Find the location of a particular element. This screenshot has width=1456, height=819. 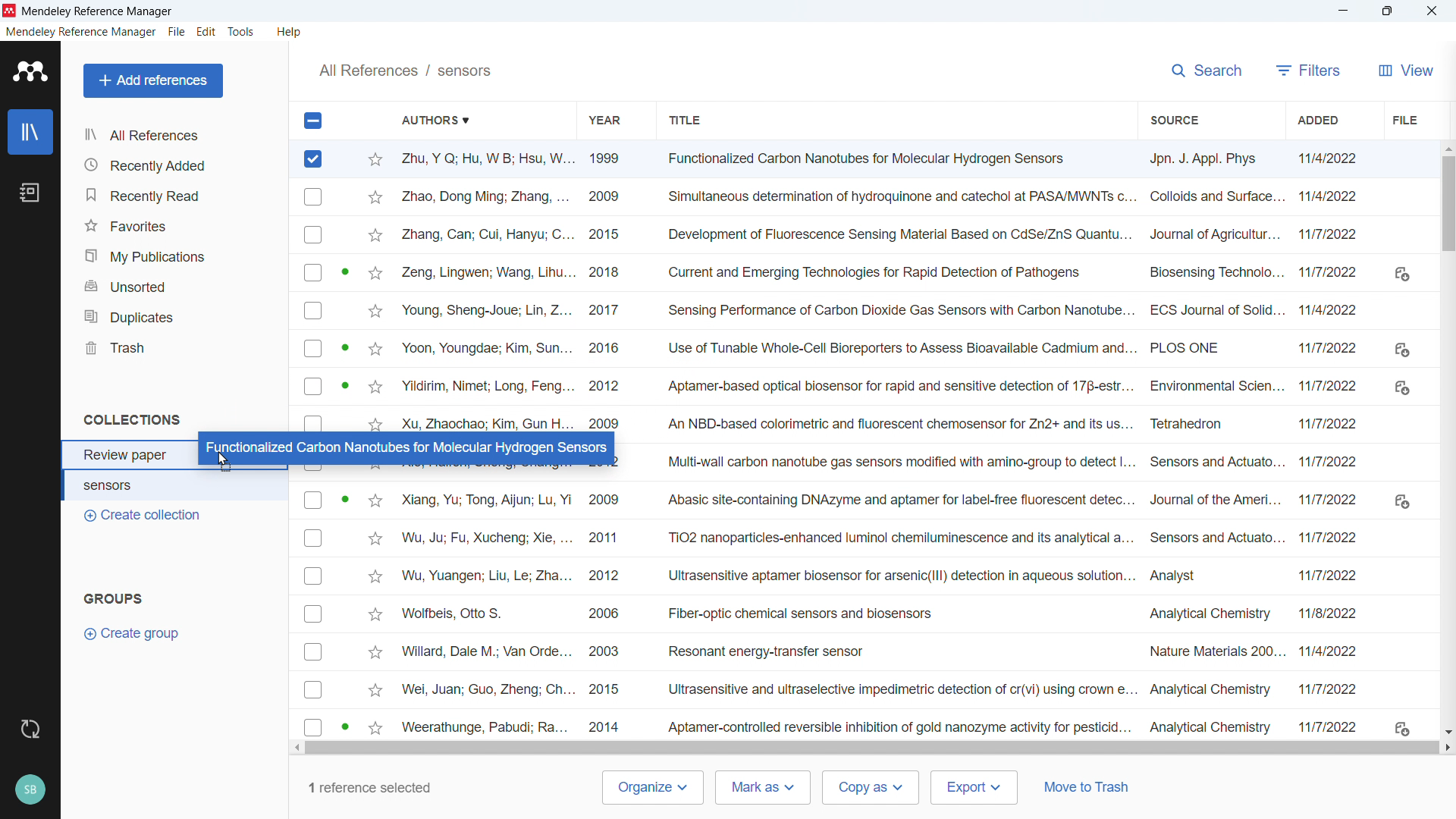

Notebook  is located at coordinates (31, 193).